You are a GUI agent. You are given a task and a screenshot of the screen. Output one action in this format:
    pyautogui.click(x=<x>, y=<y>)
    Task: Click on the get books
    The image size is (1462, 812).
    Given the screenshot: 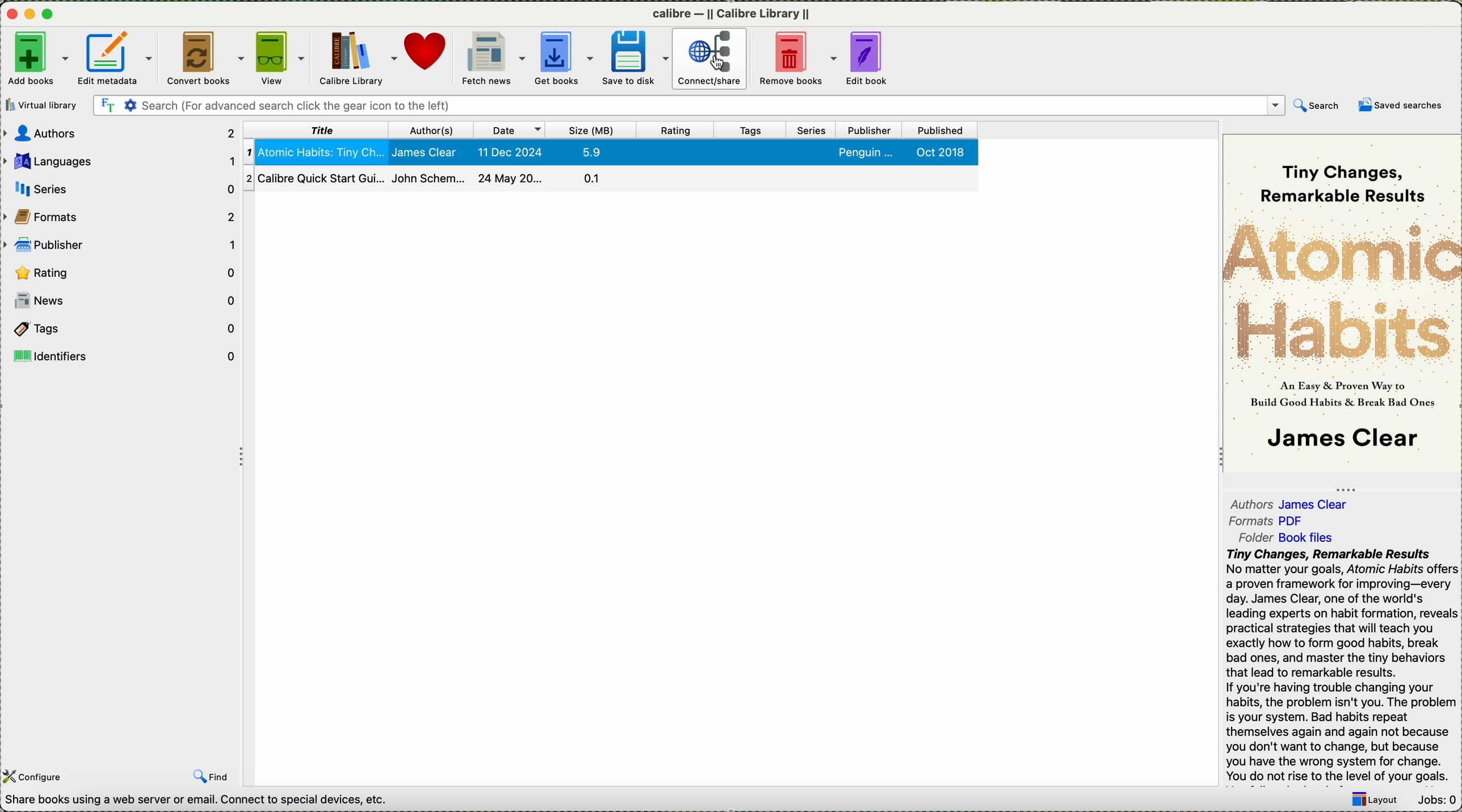 What is the action you would take?
    pyautogui.click(x=566, y=59)
    